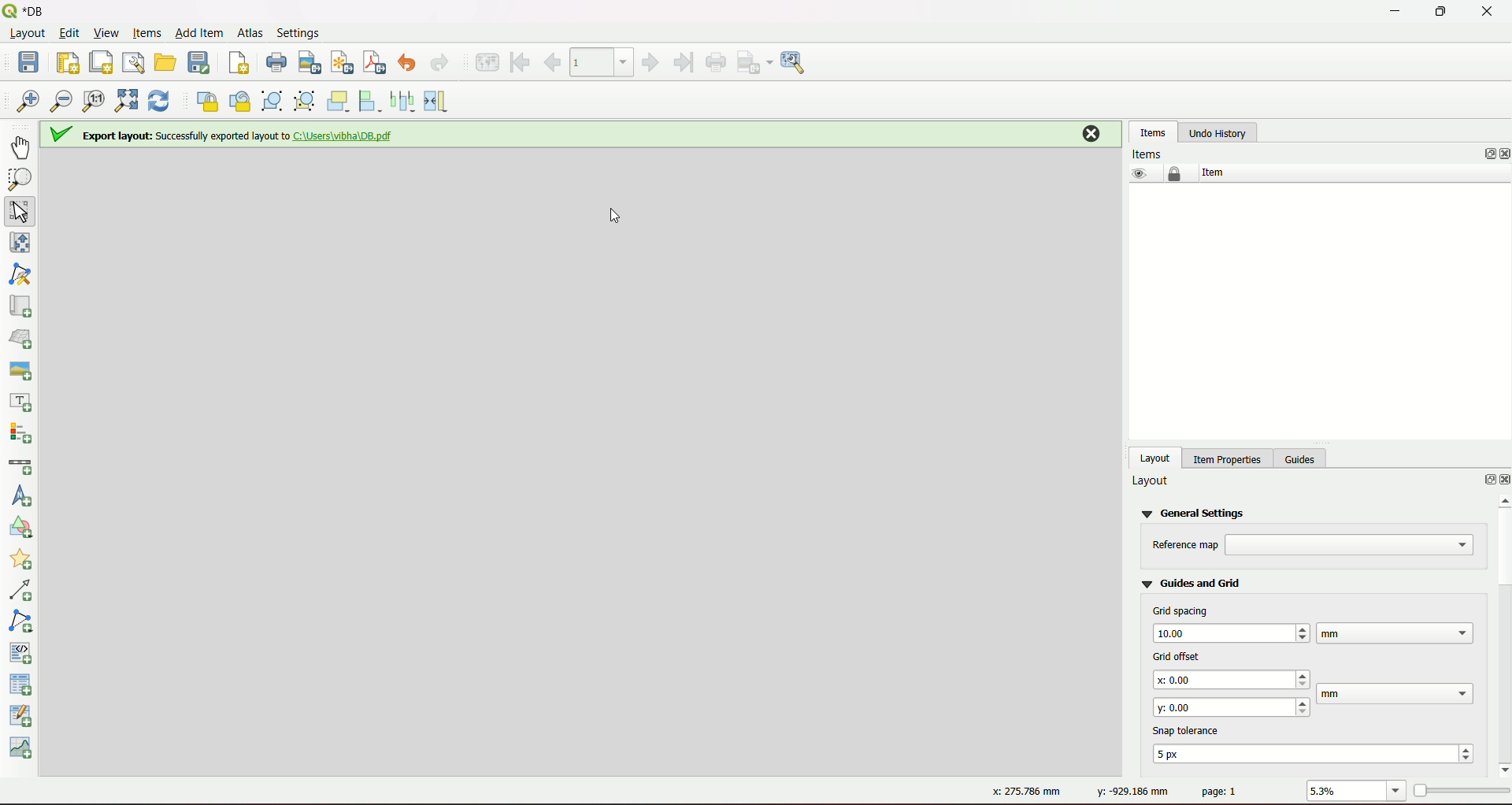  Describe the element at coordinates (755, 62) in the screenshot. I see `export as image` at that location.